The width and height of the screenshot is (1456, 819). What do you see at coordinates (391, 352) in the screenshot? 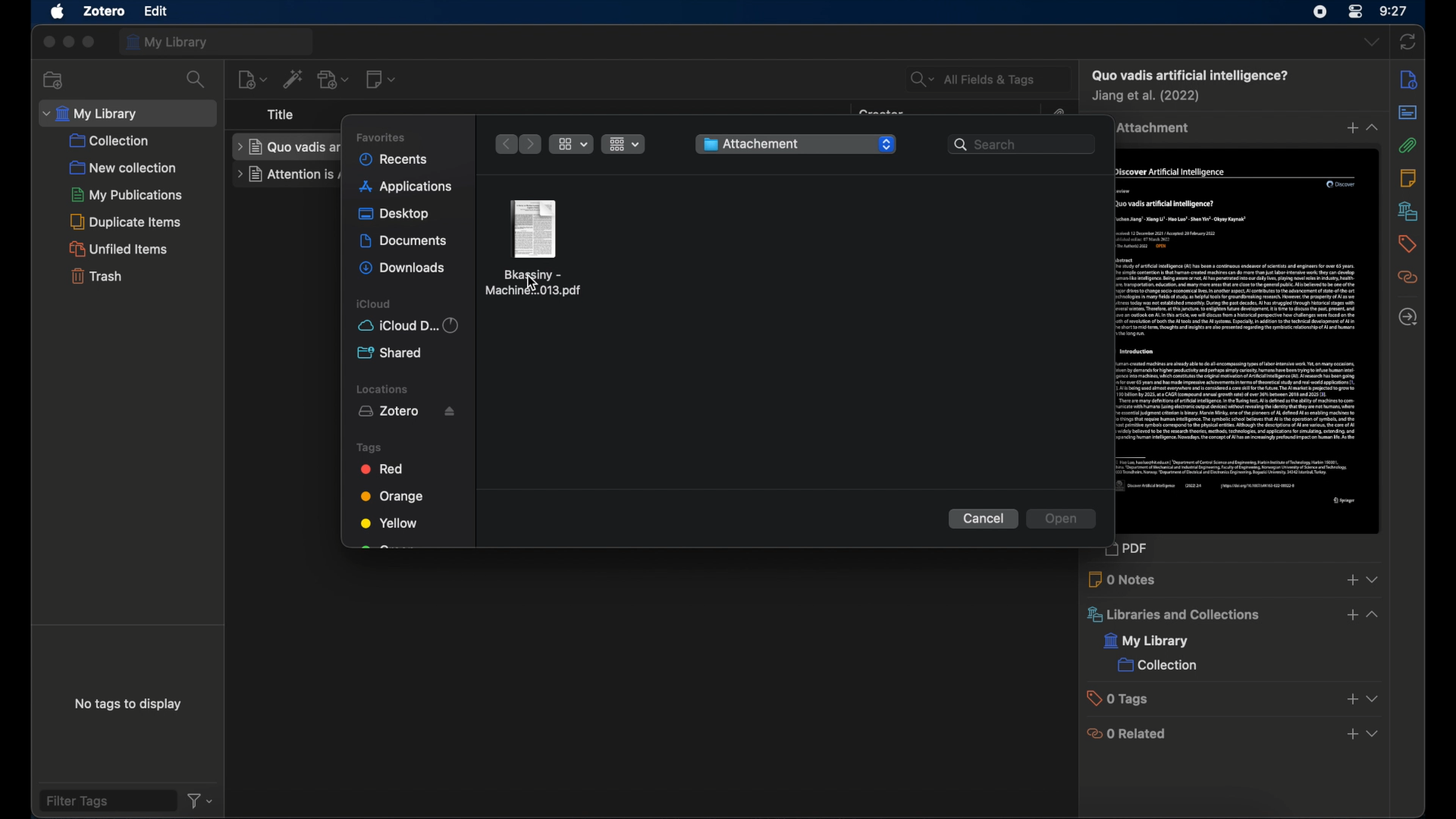
I see `shared` at bounding box center [391, 352].